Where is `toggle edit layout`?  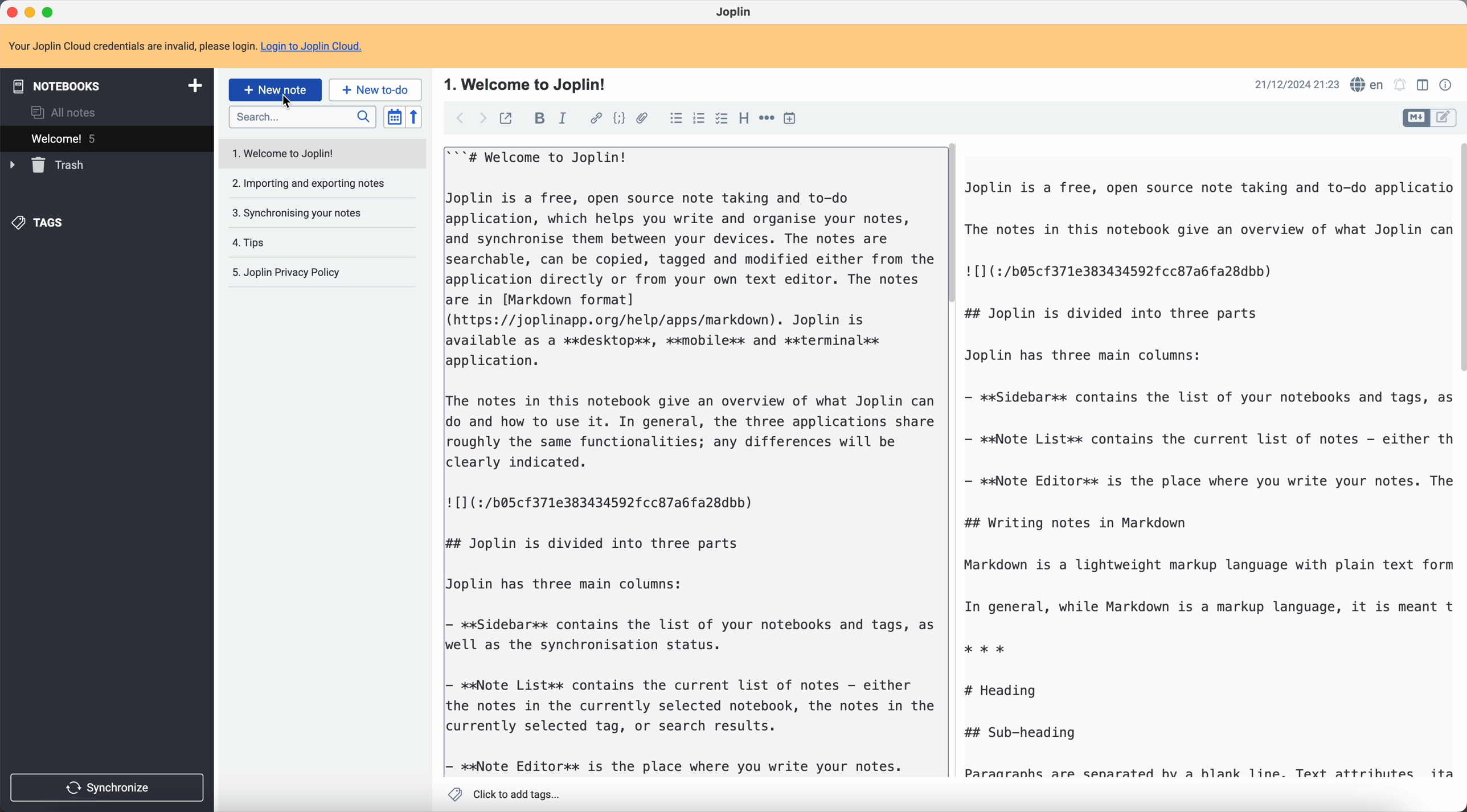 toggle edit layout is located at coordinates (1444, 118).